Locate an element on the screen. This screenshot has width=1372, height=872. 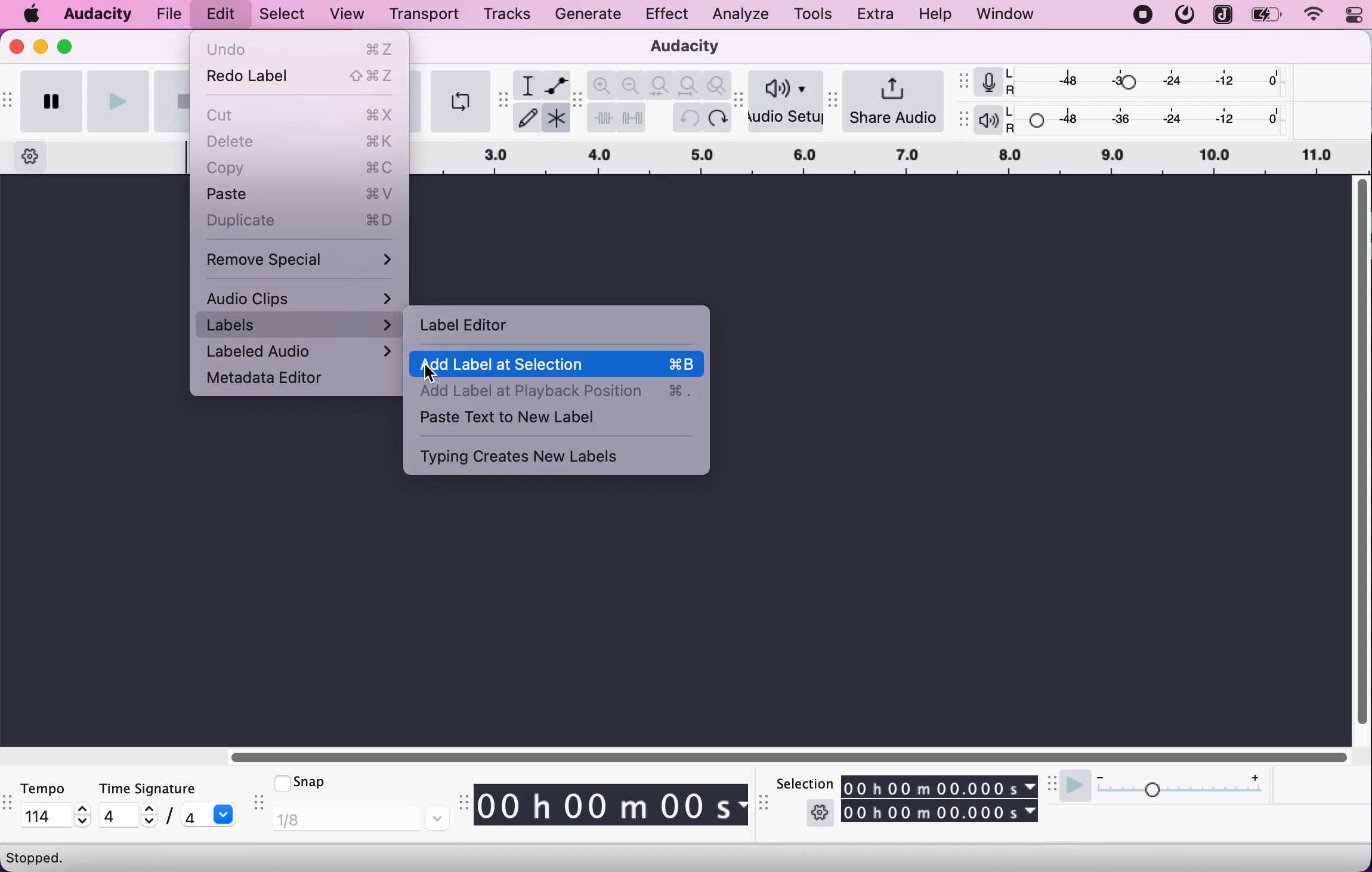
playback meter is located at coordinates (987, 120).